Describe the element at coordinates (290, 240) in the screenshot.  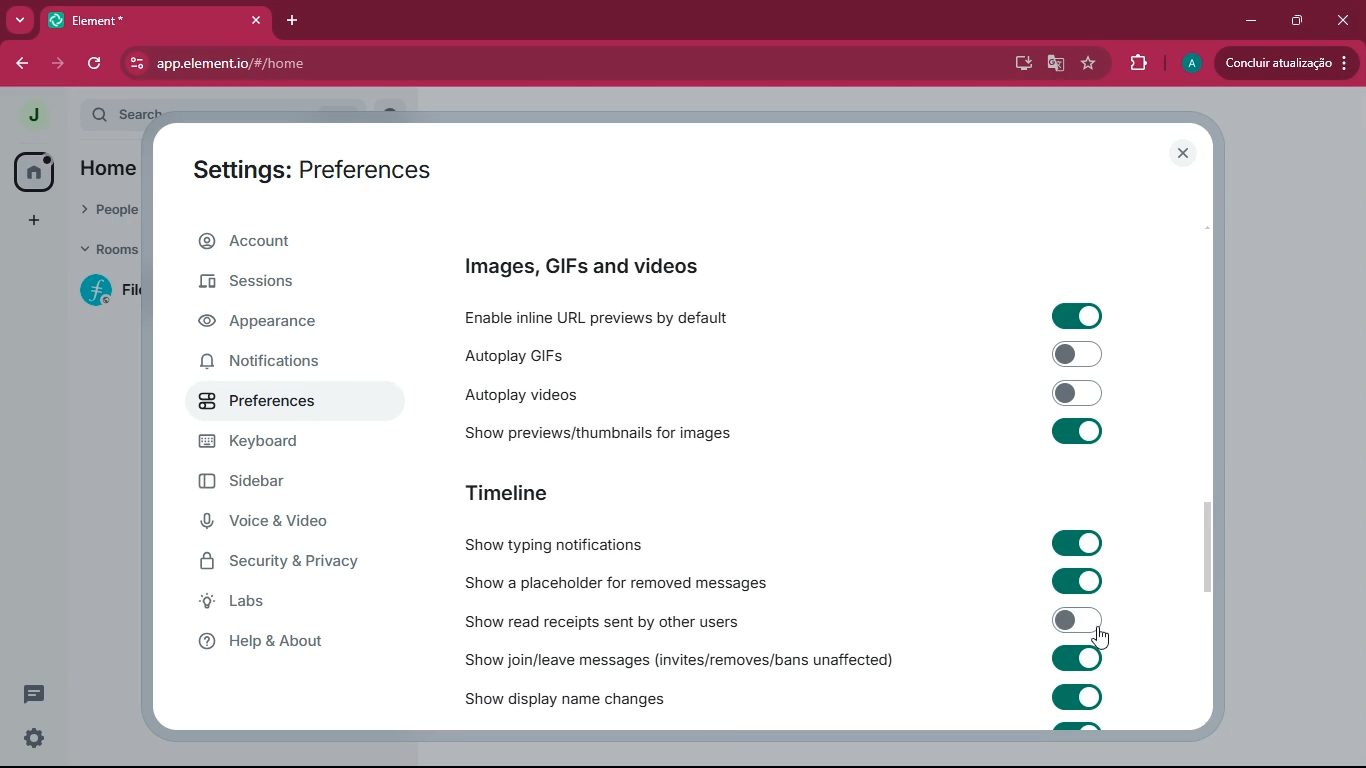
I see `account` at that location.